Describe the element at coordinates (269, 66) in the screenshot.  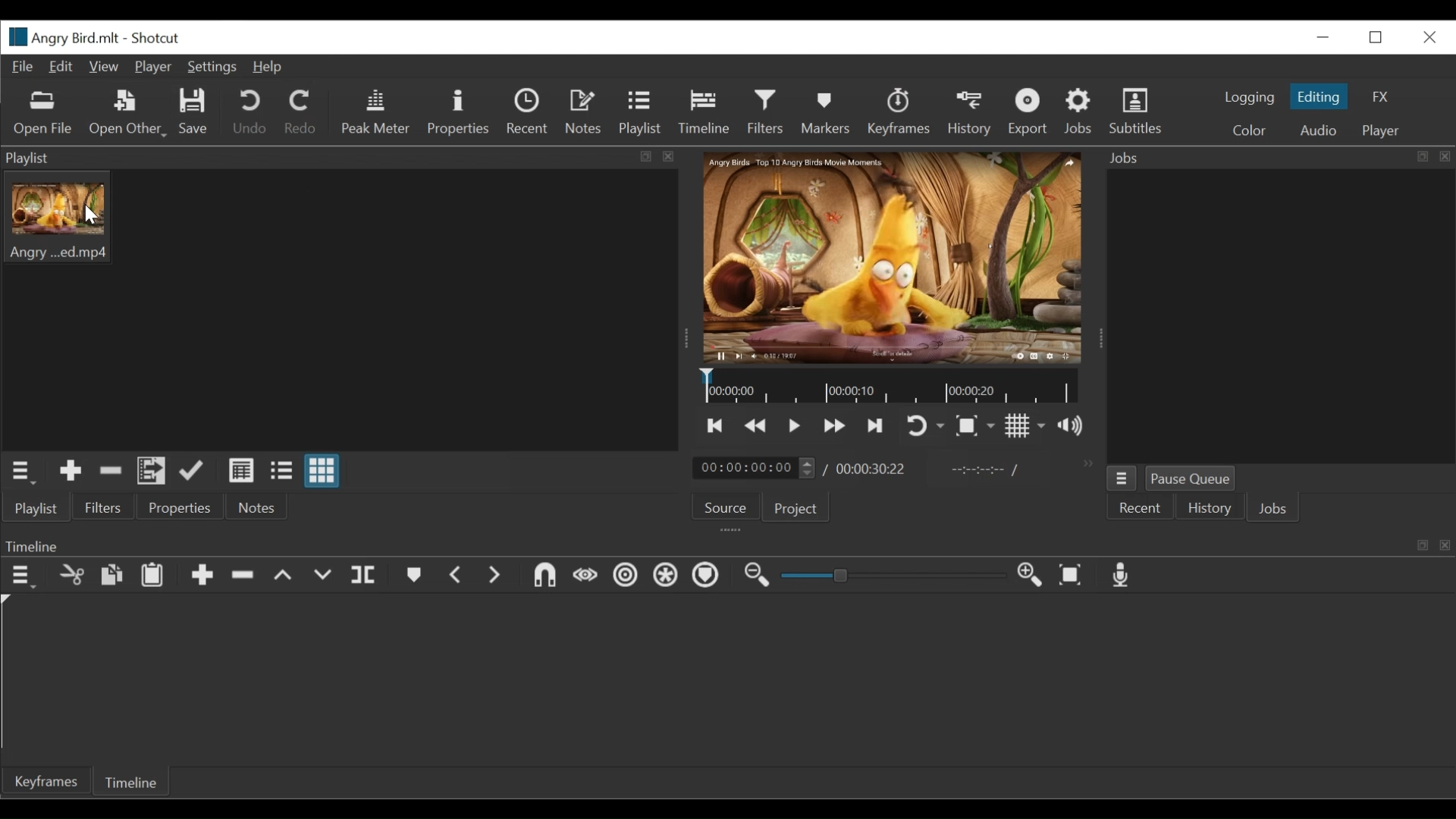
I see `Help` at that location.